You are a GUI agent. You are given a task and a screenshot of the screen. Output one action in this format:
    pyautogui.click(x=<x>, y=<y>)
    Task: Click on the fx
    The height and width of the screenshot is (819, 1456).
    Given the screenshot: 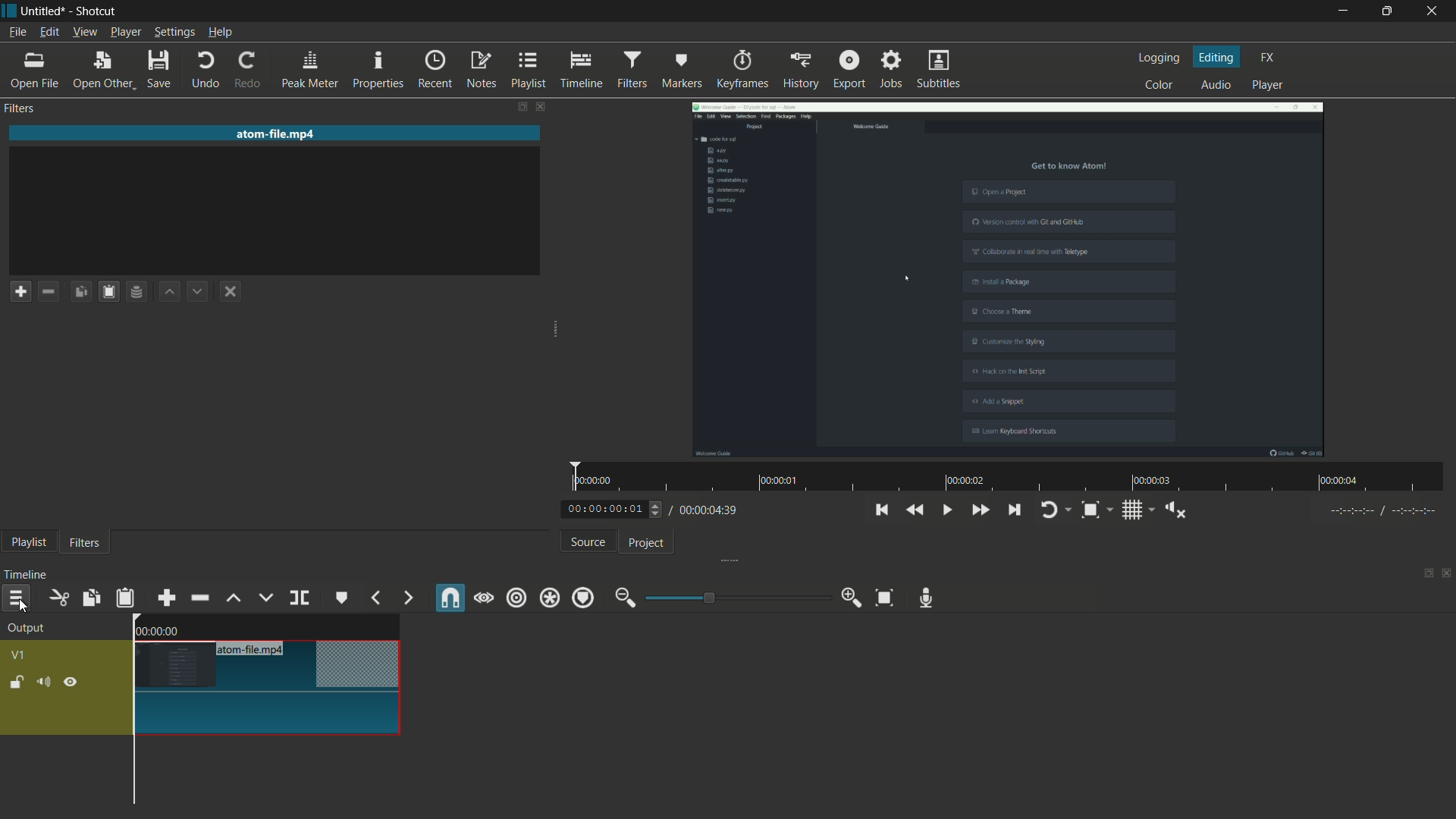 What is the action you would take?
    pyautogui.click(x=1268, y=58)
    